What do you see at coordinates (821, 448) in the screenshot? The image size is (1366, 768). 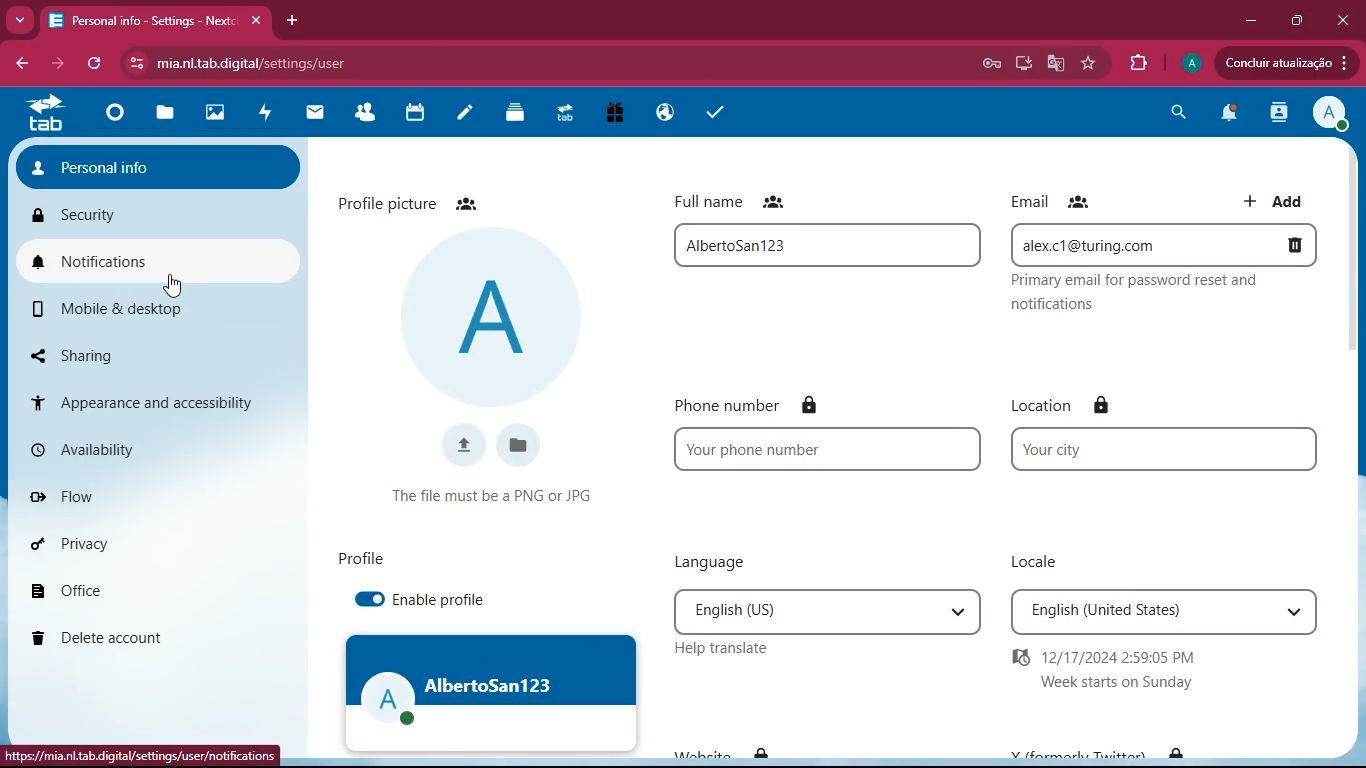 I see `your phone number` at bounding box center [821, 448].